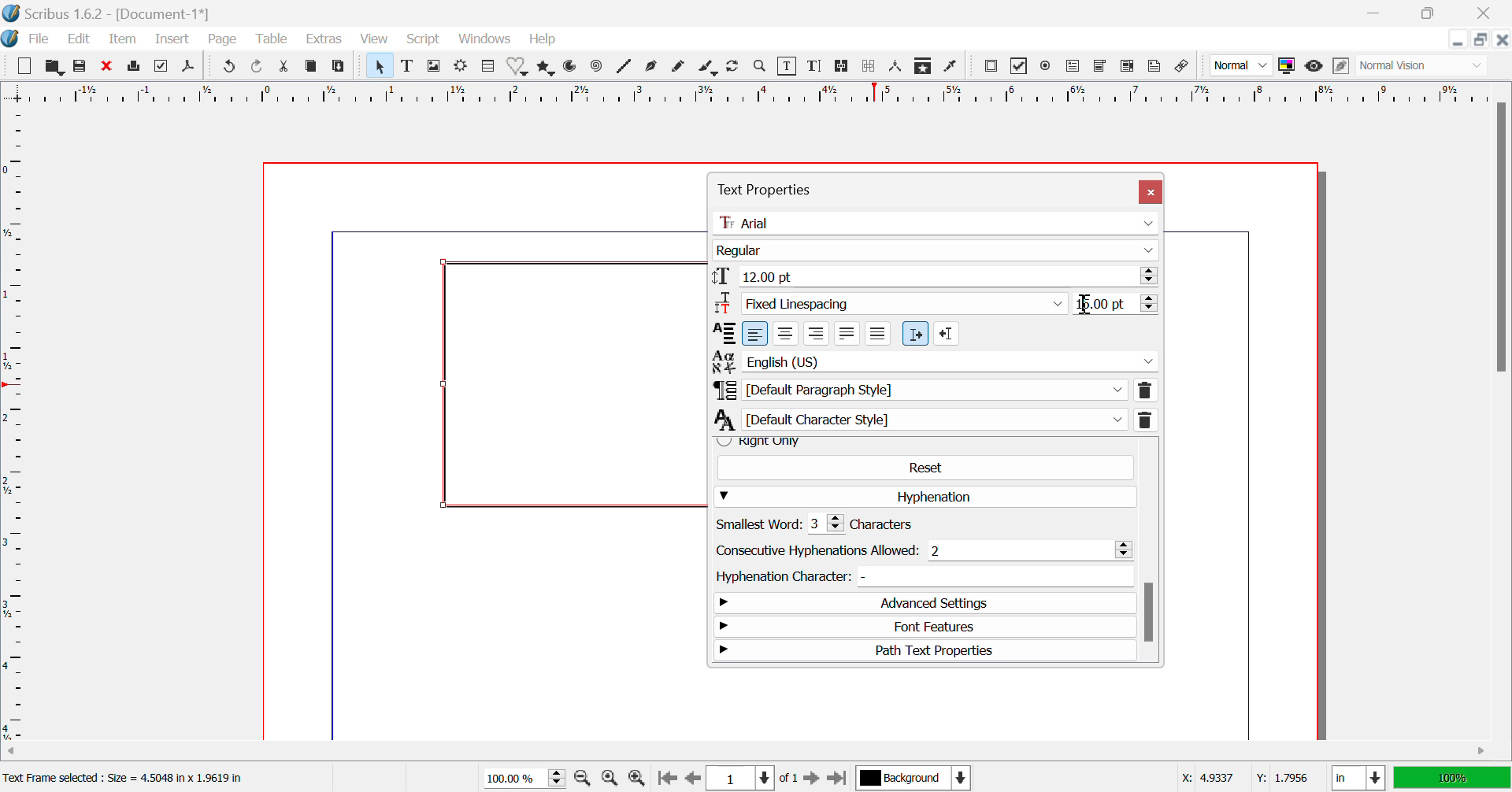  Describe the element at coordinates (192, 67) in the screenshot. I see `Save as Pdf` at that location.